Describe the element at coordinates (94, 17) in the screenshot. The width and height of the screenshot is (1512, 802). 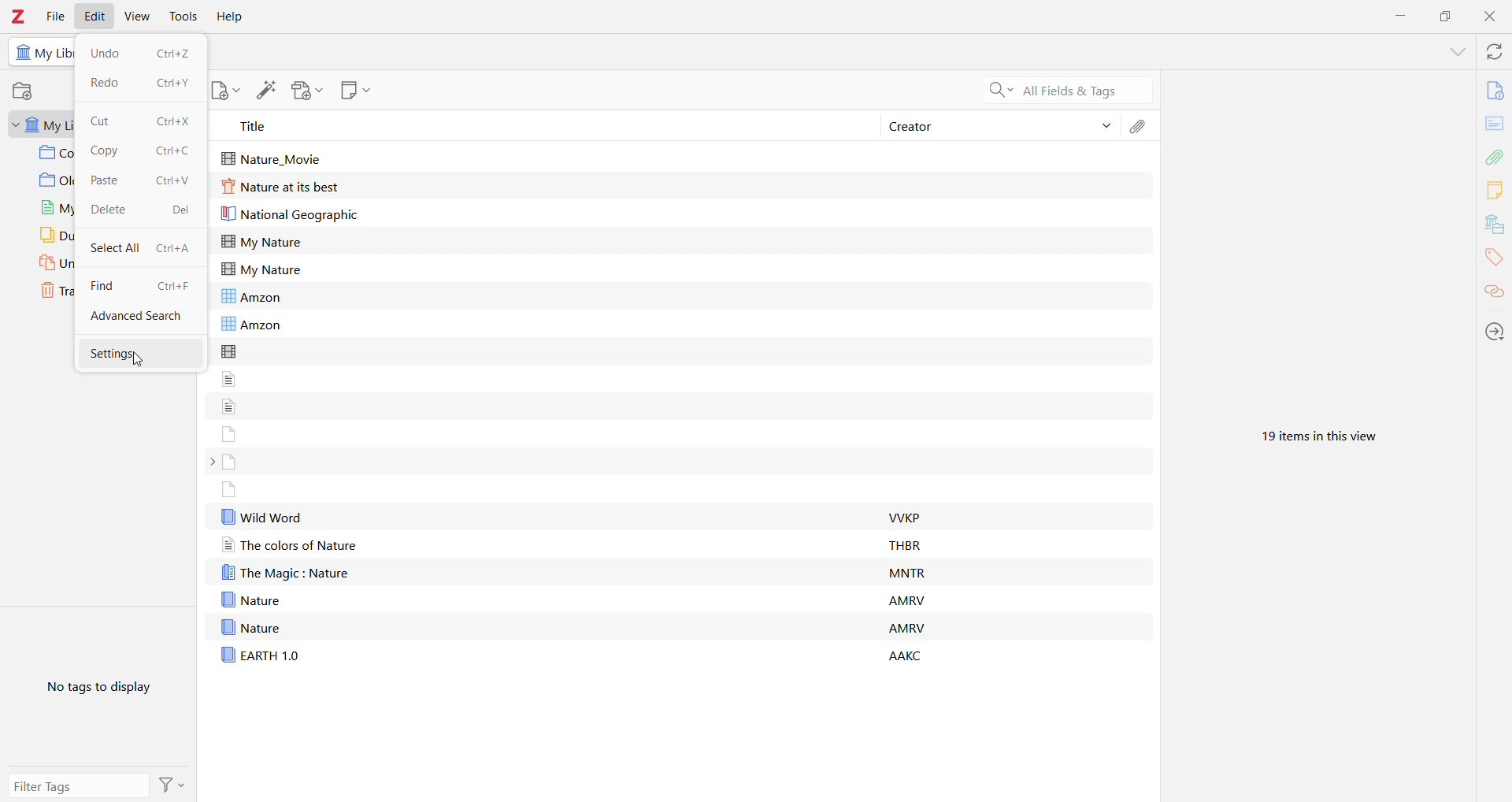
I see `Edit` at that location.